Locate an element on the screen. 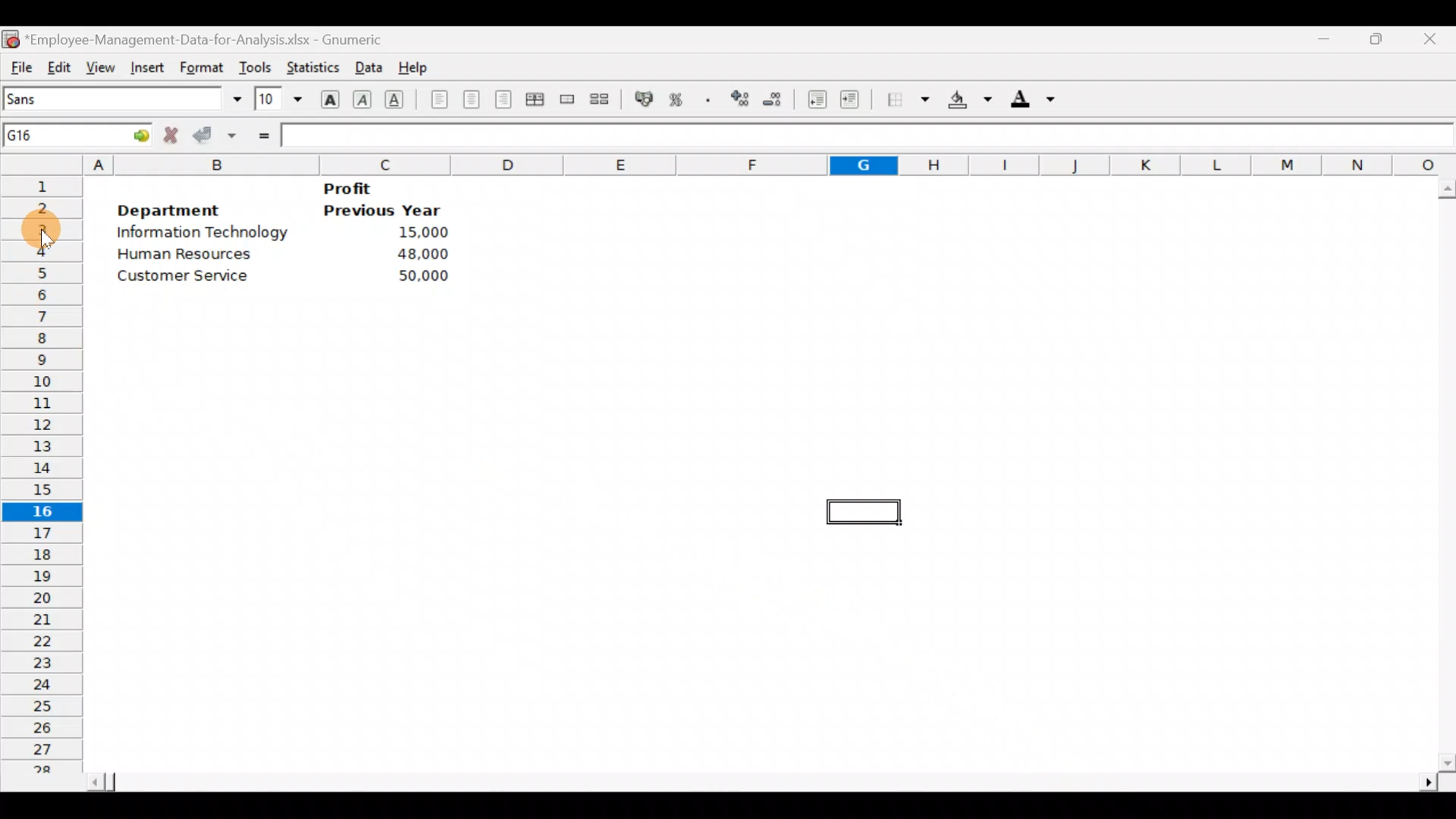  Information Technology is located at coordinates (209, 231).